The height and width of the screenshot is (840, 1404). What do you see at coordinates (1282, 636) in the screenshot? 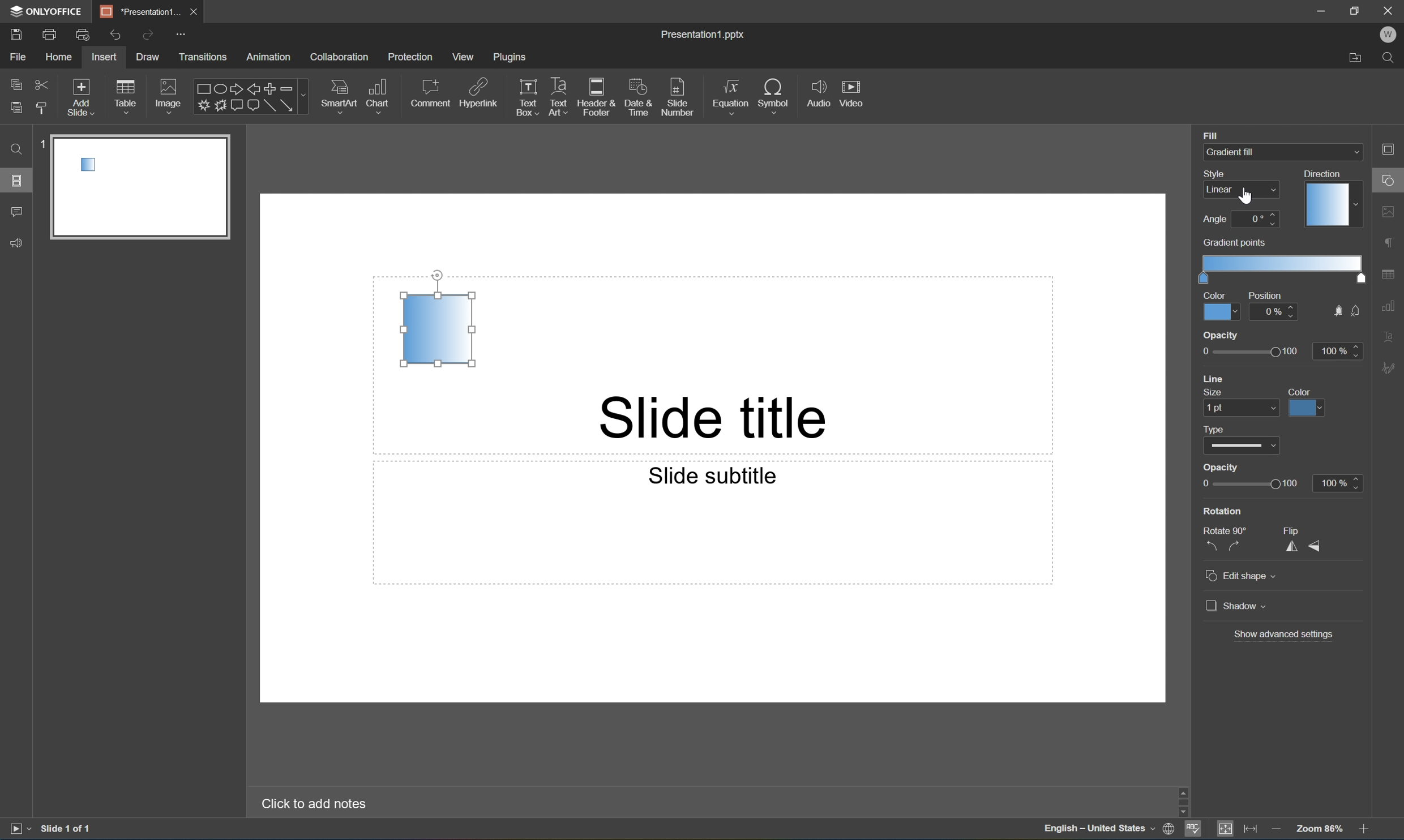
I see `Show advanced settings` at bounding box center [1282, 636].